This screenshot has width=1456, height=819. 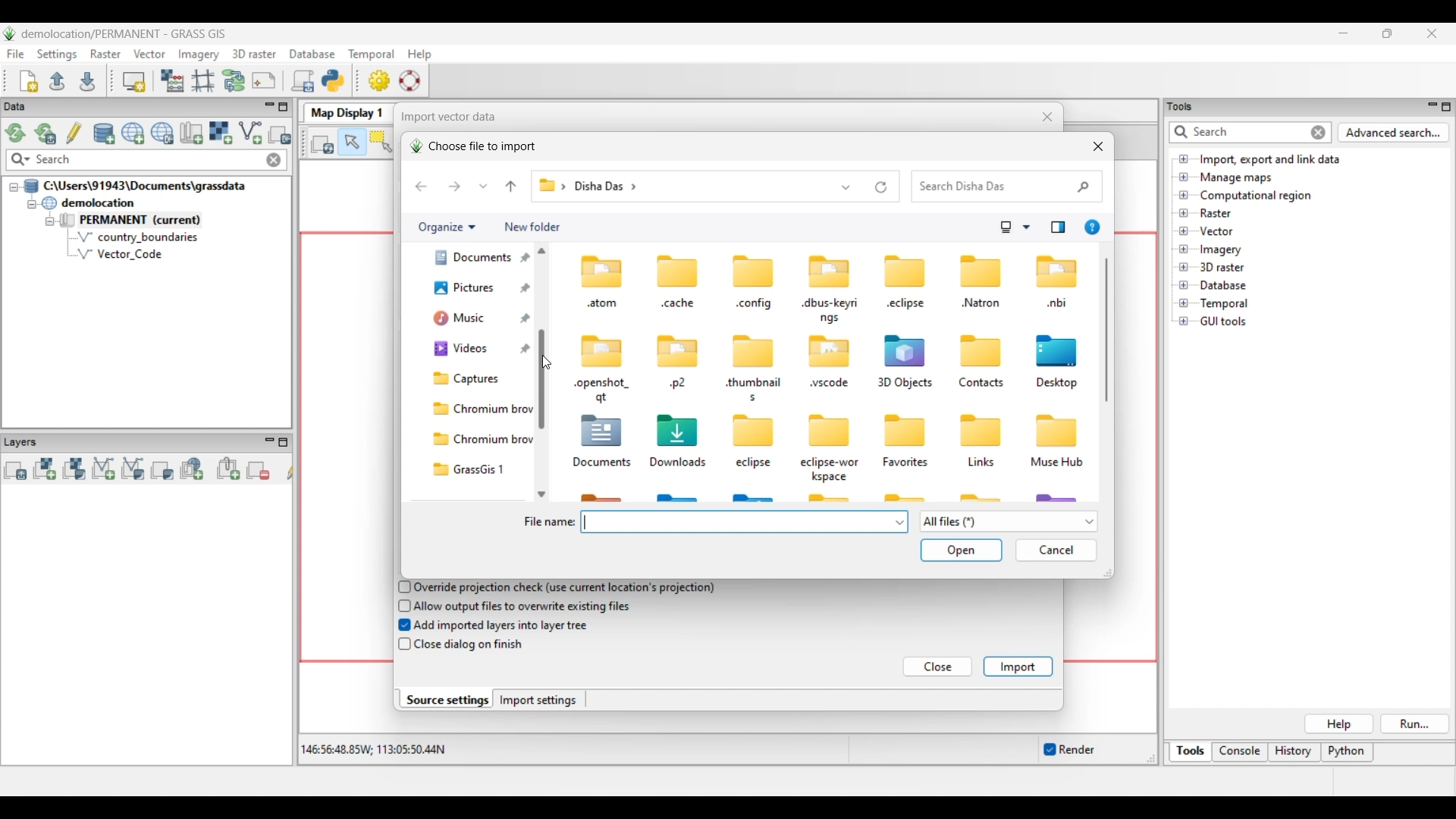 What do you see at coordinates (564, 588) in the screenshot?
I see `Override projection check` at bounding box center [564, 588].